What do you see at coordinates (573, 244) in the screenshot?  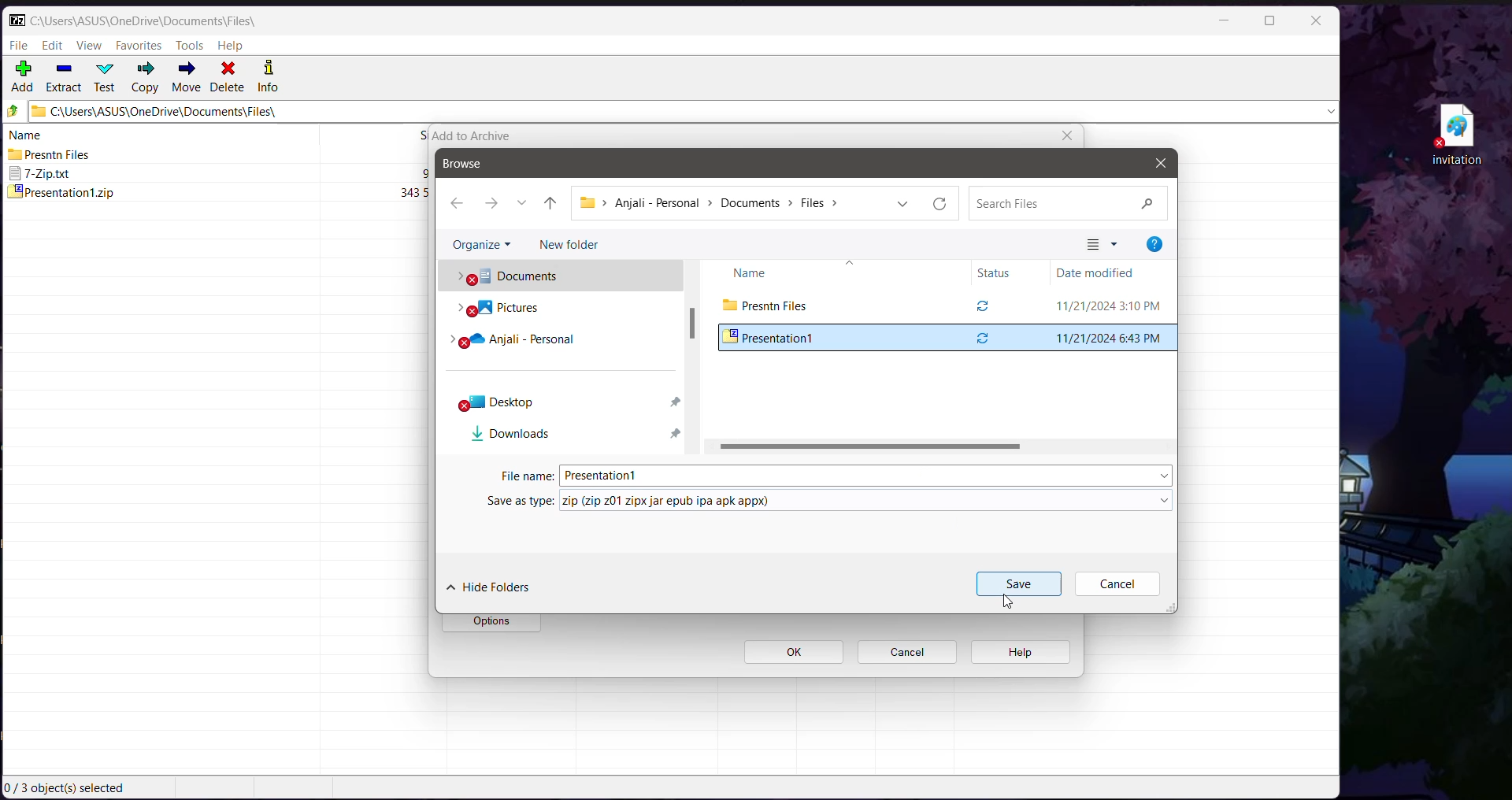 I see `New Folder` at bounding box center [573, 244].